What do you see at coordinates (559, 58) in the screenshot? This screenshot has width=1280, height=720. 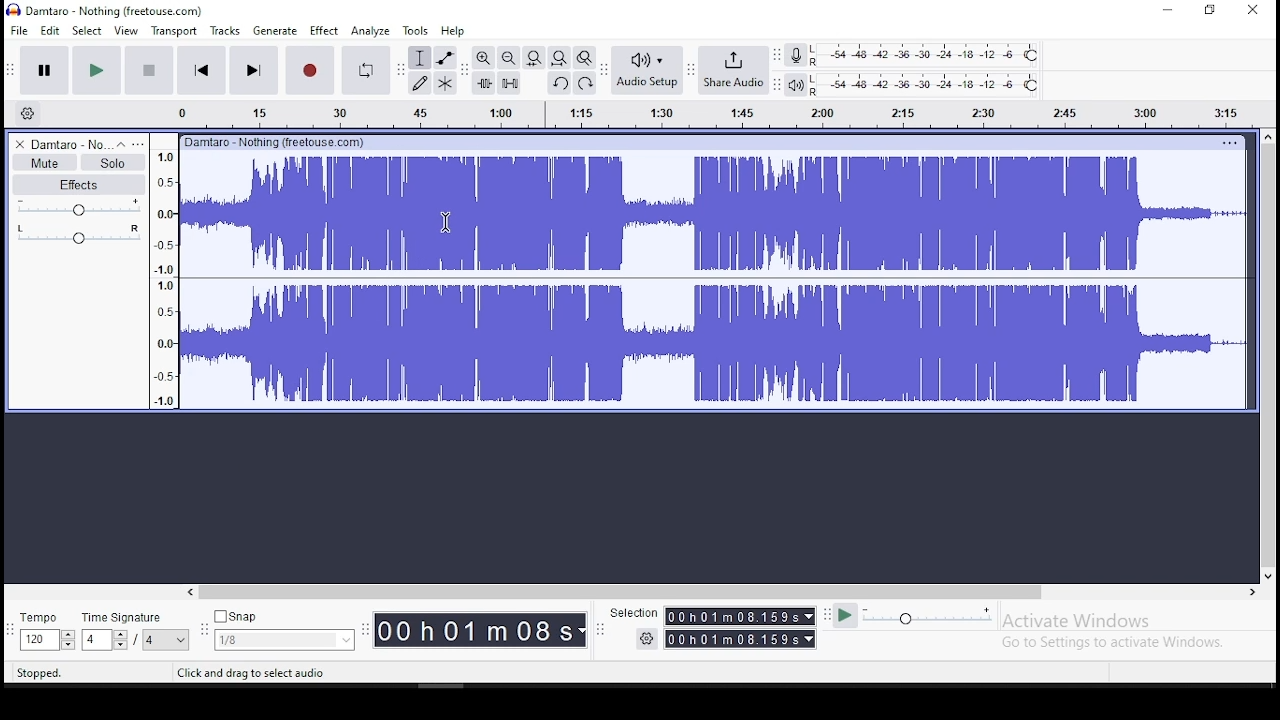 I see `fit project to width` at bounding box center [559, 58].